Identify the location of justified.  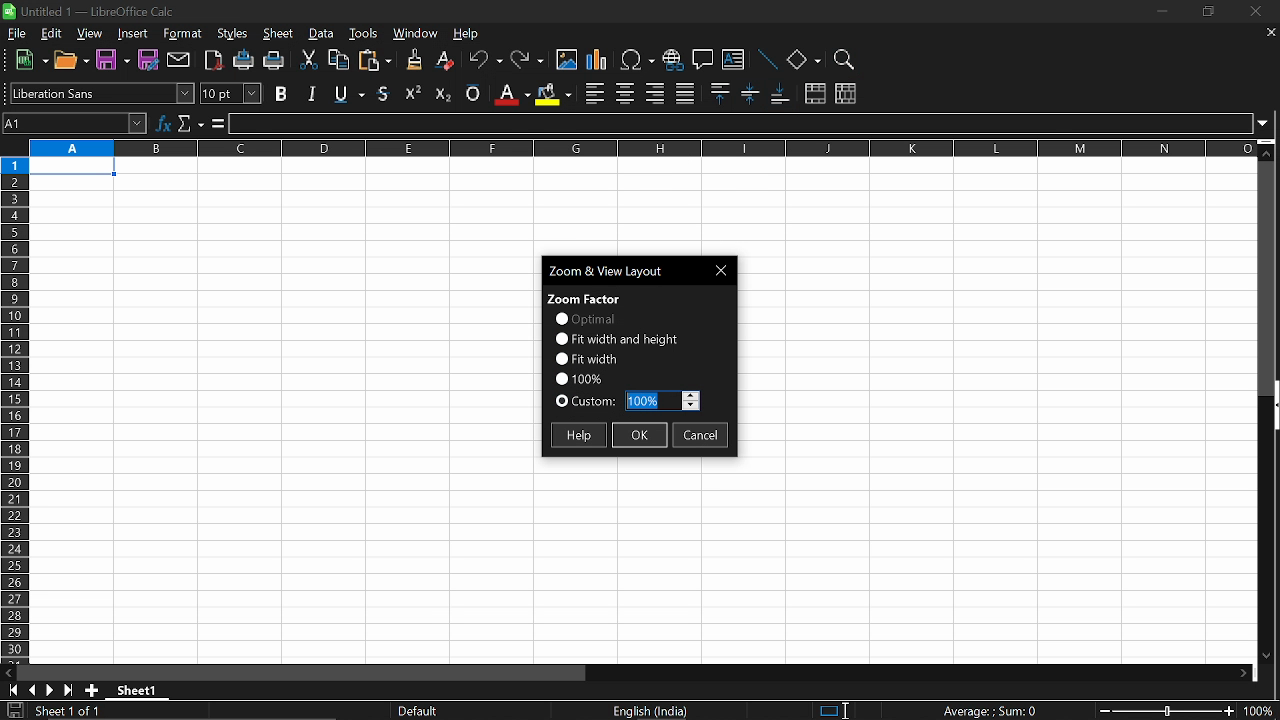
(686, 94).